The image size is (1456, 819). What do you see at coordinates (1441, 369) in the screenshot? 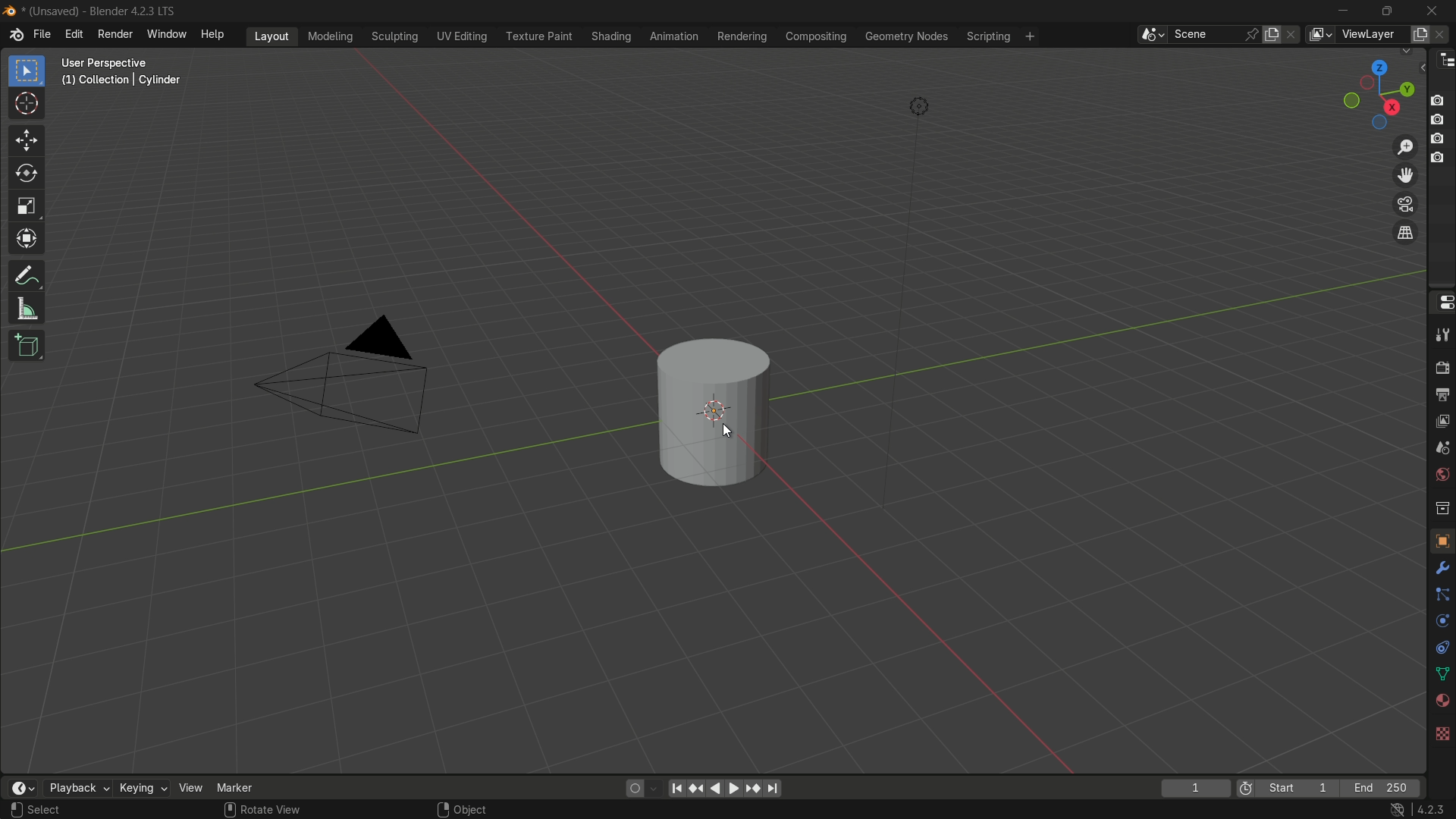
I see `render` at bounding box center [1441, 369].